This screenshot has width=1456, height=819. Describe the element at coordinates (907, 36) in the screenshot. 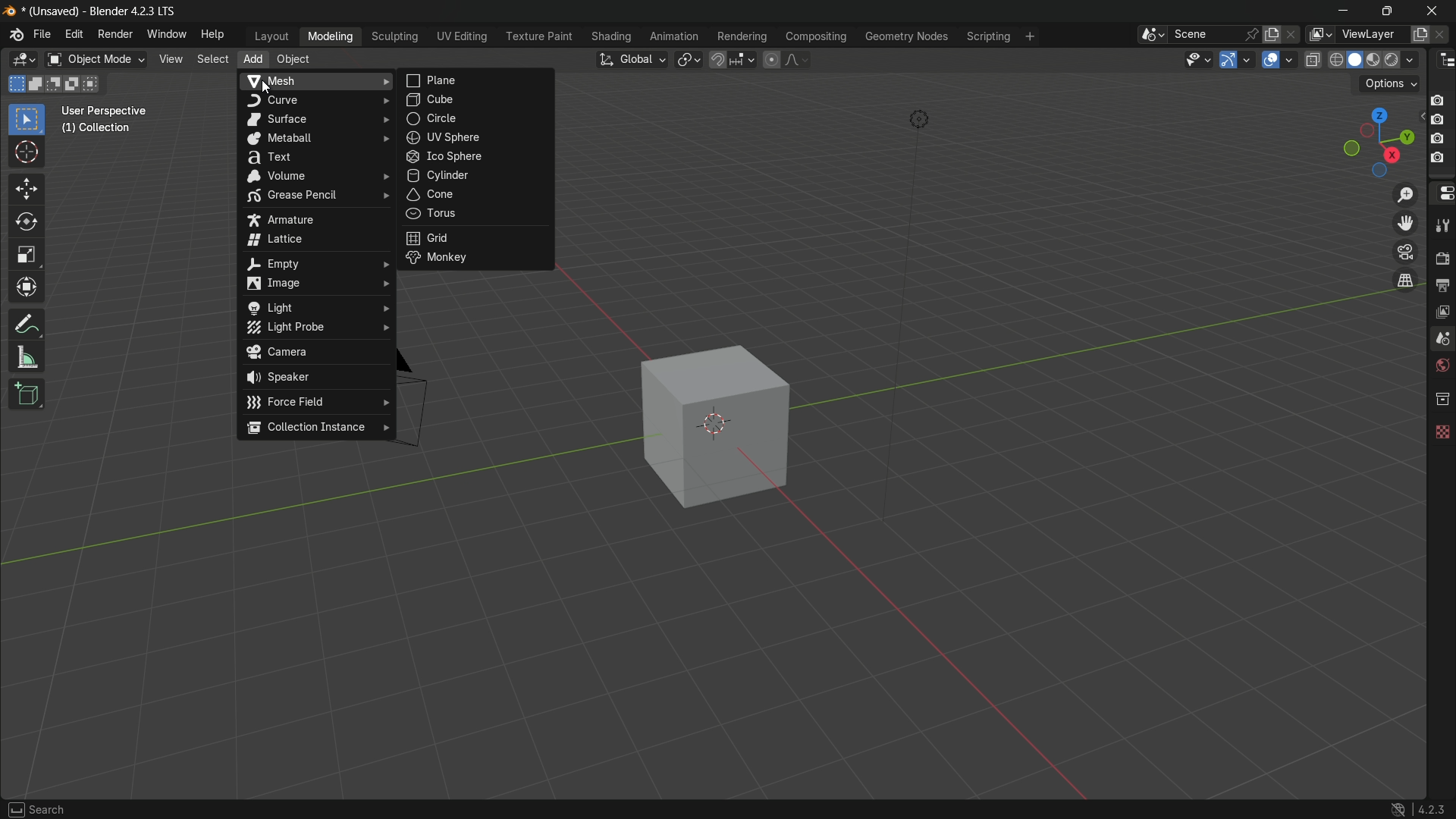

I see `geometry nodes menu` at that location.